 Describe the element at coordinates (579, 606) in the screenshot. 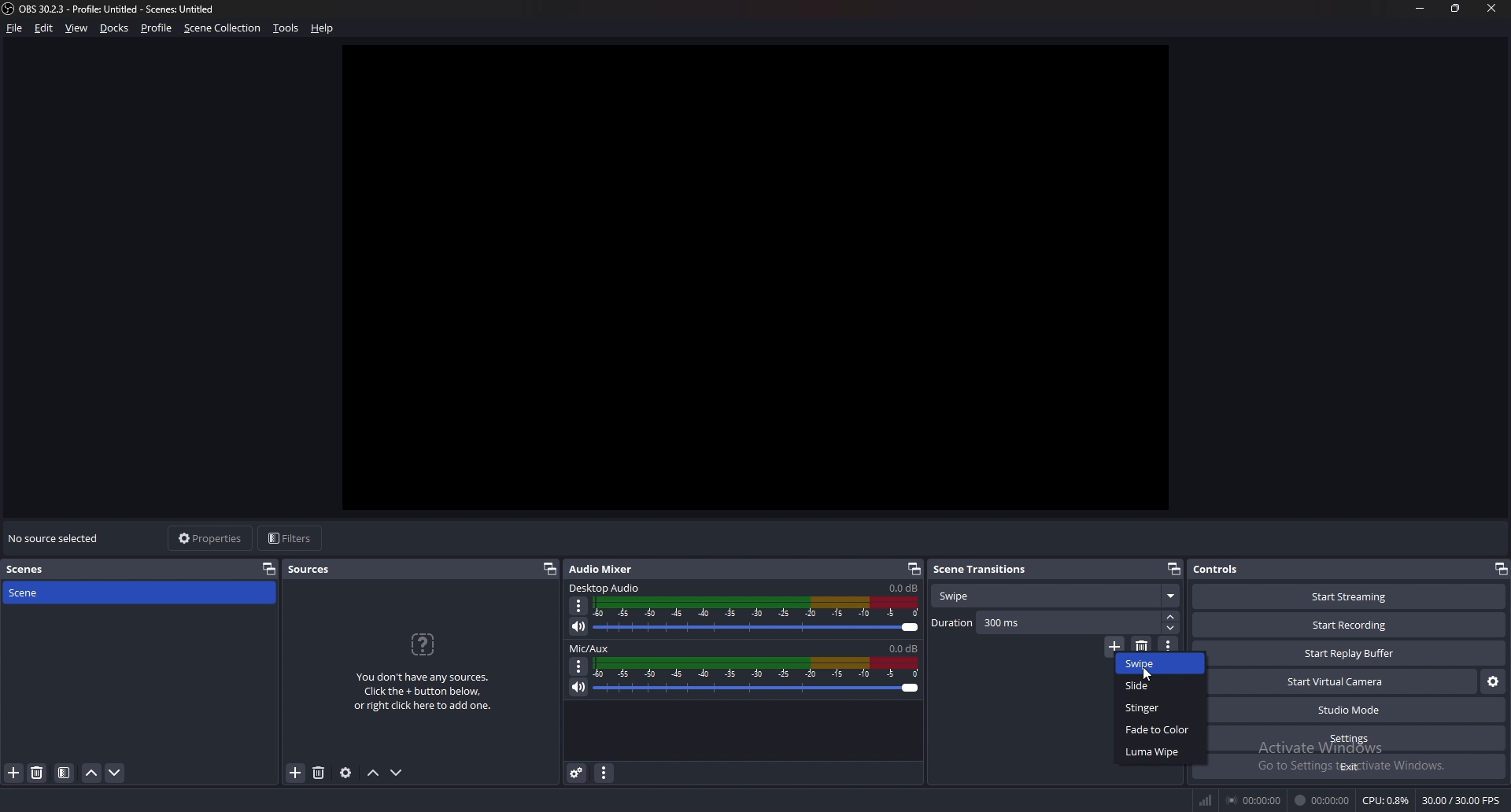

I see `options` at that location.